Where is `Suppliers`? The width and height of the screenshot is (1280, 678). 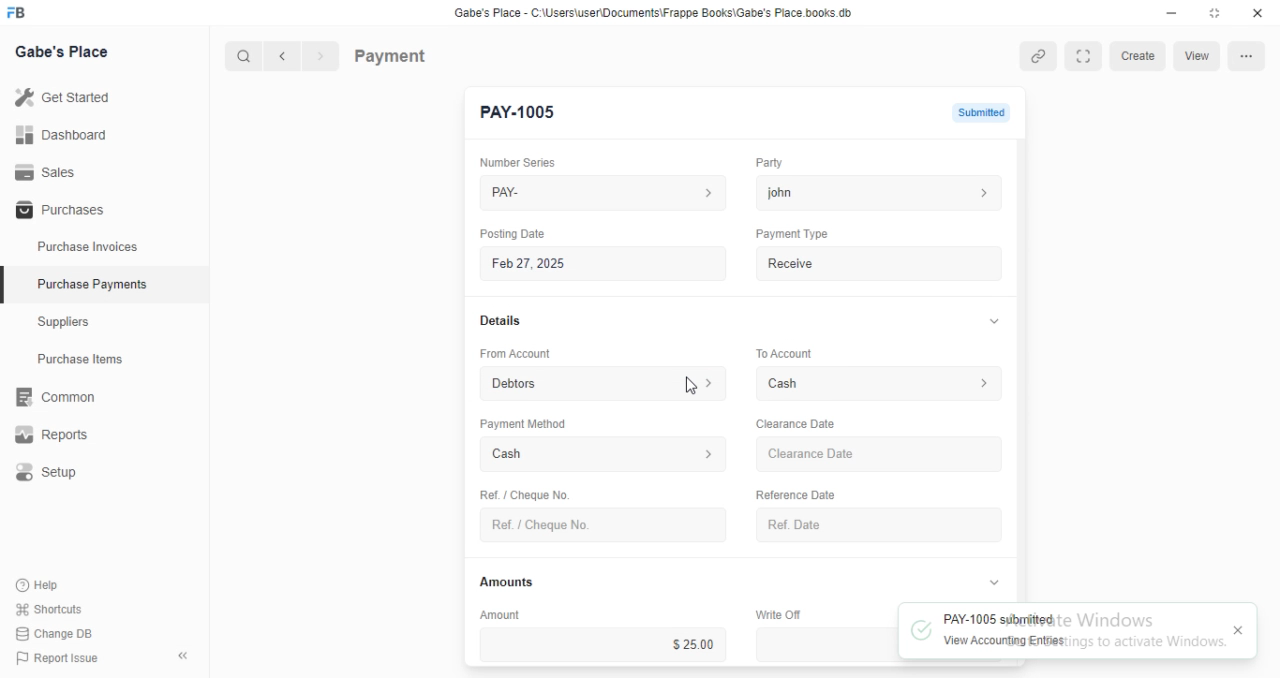
Suppliers is located at coordinates (70, 324).